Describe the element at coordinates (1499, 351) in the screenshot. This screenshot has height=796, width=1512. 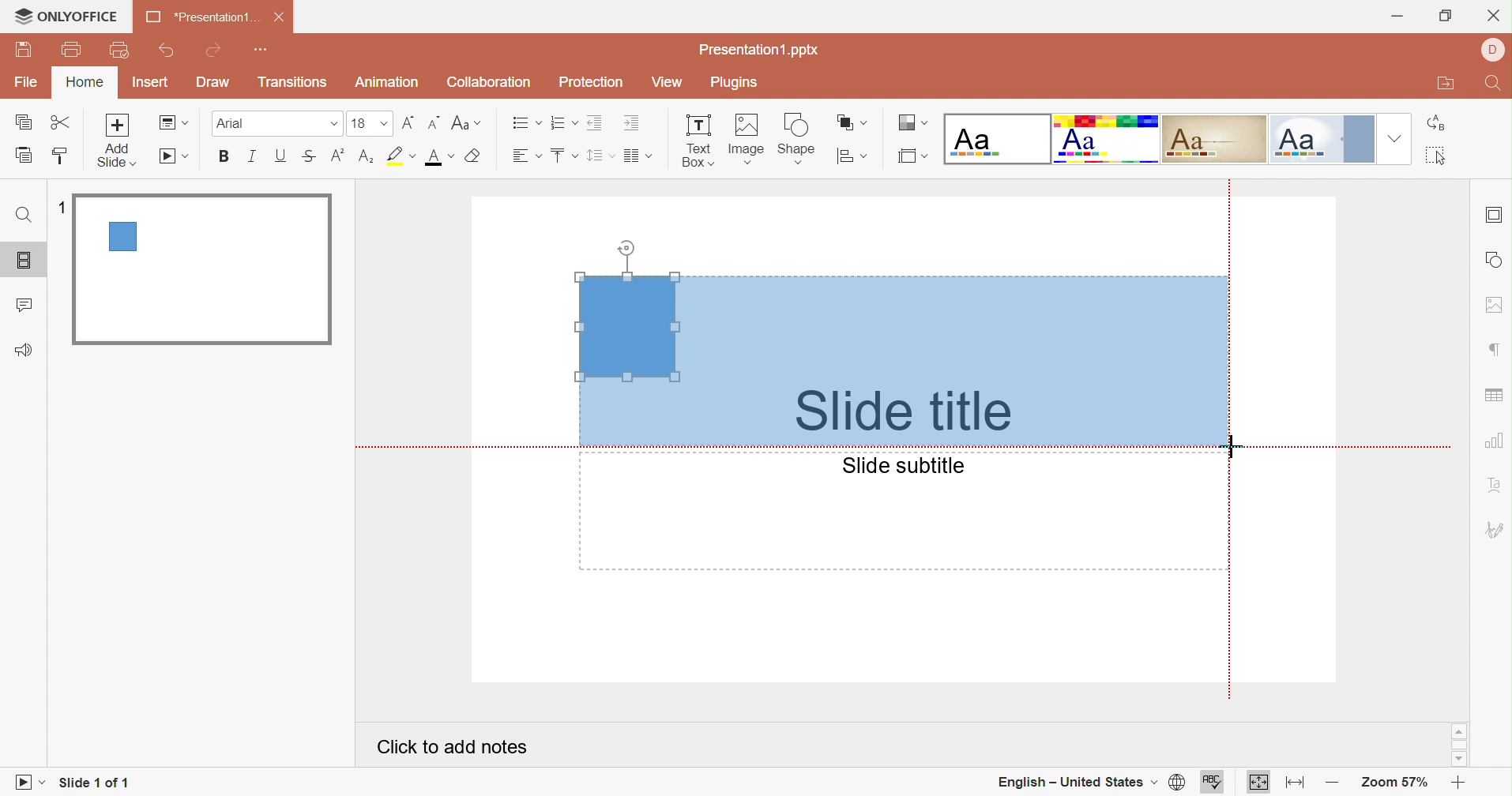
I see `Paragraph settings` at that location.